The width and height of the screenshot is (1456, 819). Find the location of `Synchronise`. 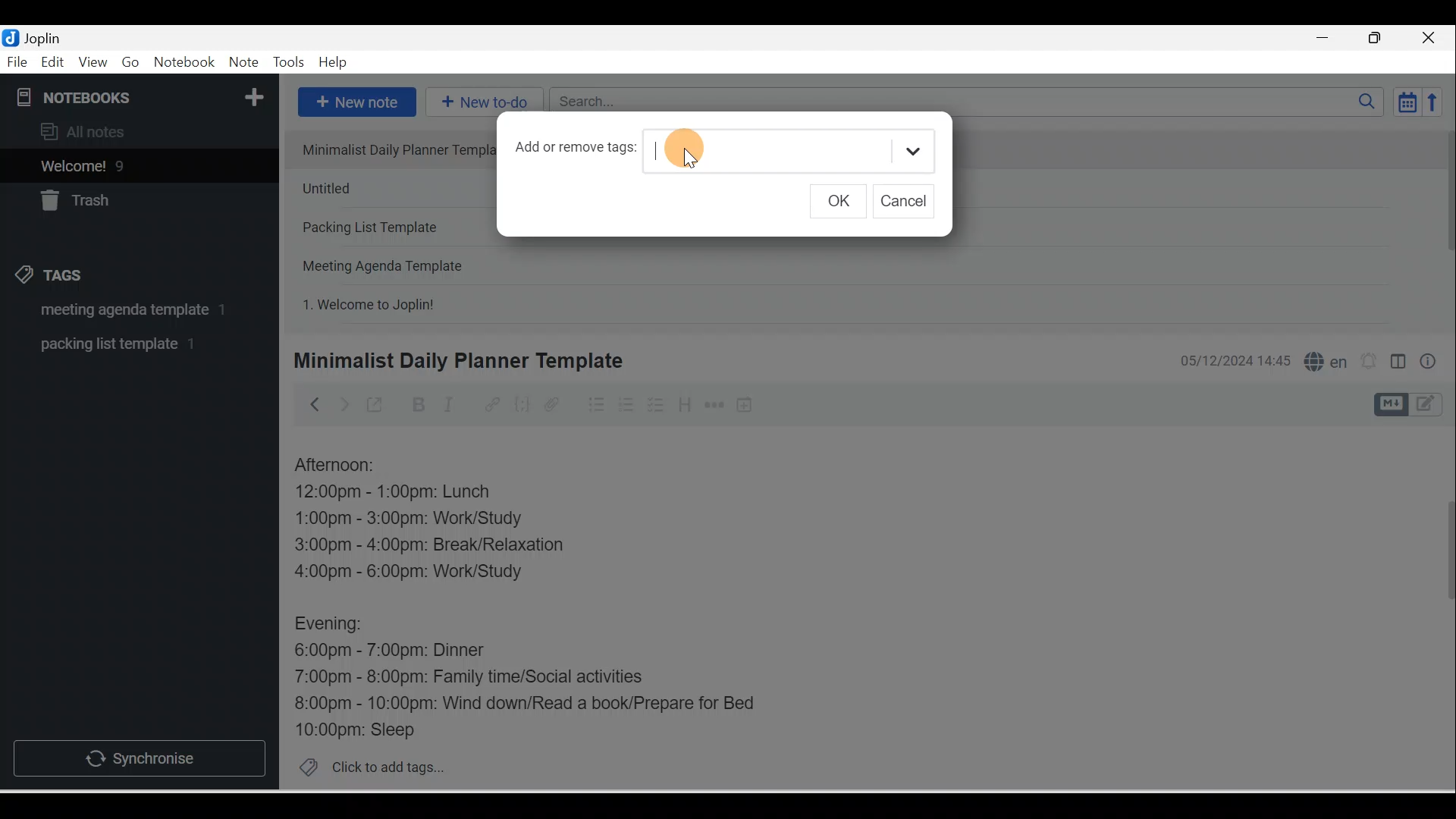

Synchronise is located at coordinates (138, 755).